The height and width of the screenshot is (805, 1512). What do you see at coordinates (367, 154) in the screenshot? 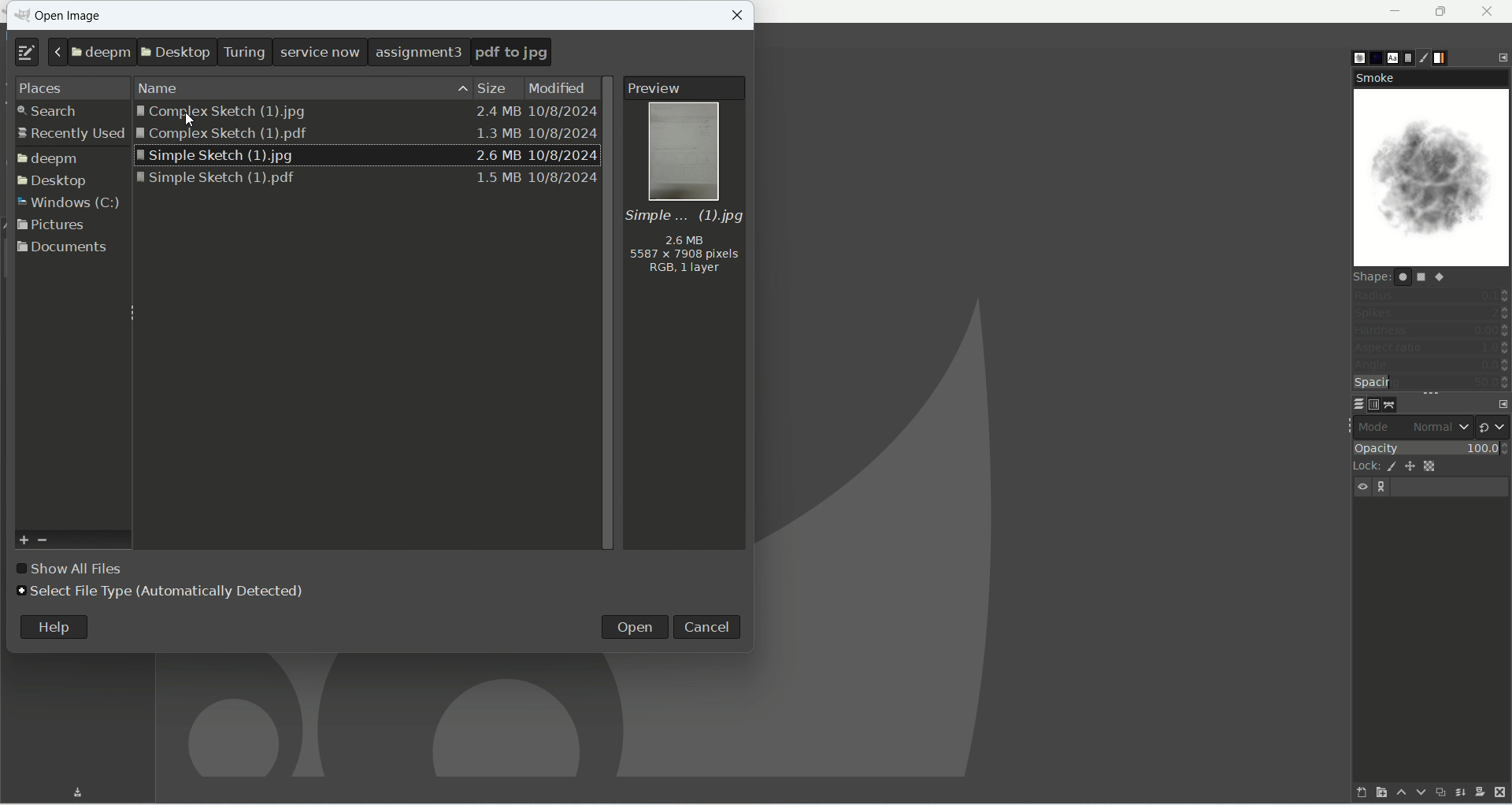
I see `Simple sketch` at bounding box center [367, 154].